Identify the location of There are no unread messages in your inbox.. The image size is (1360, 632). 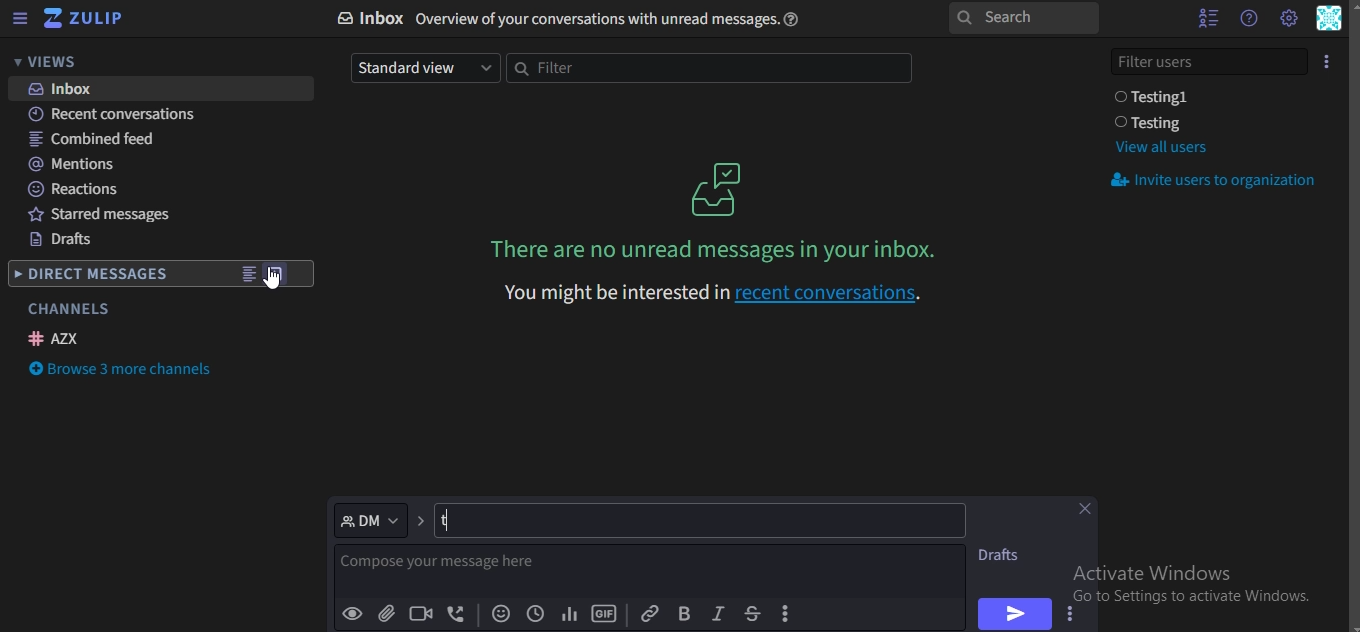
(718, 249).